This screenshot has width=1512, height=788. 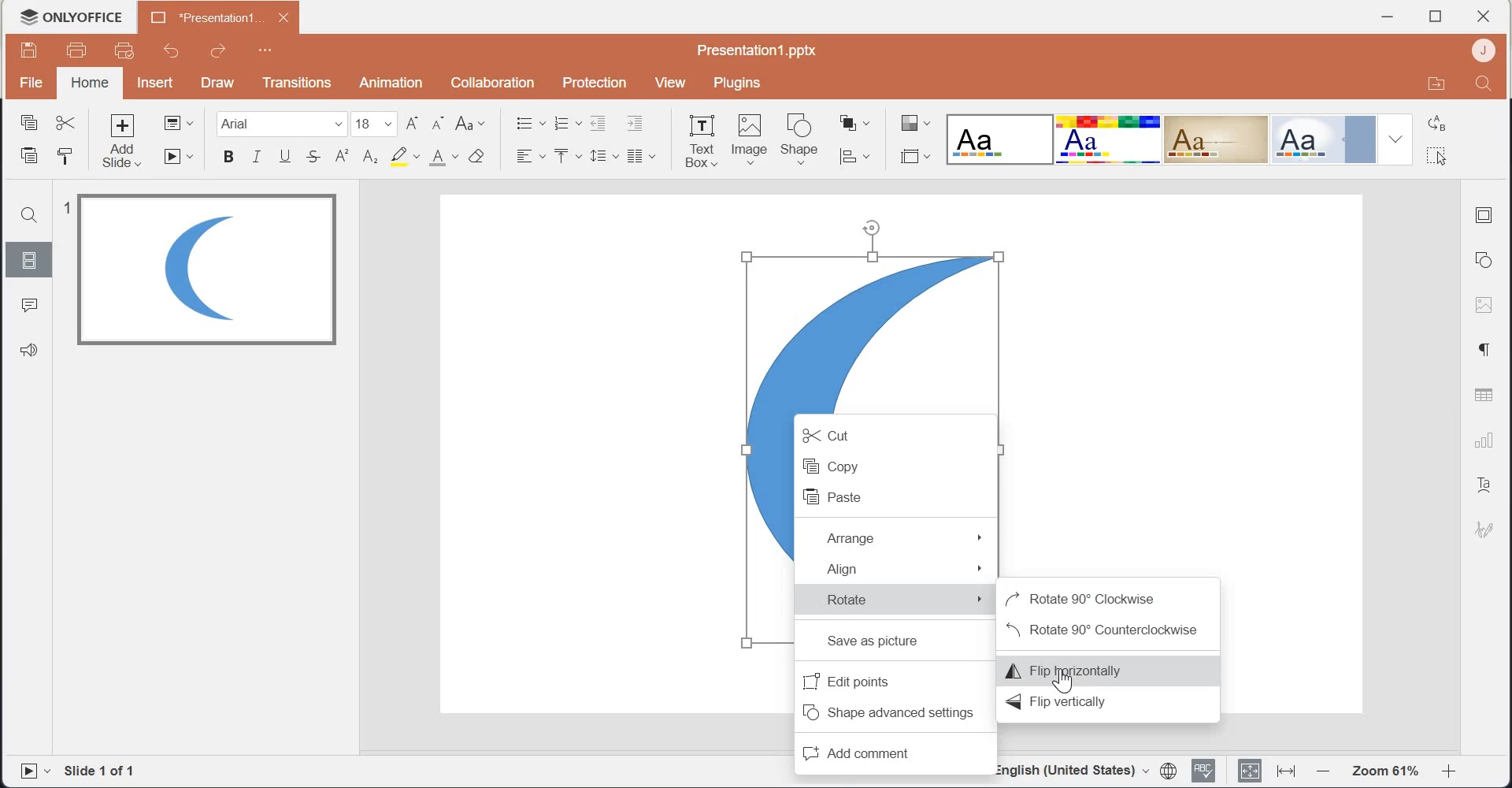 What do you see at coordinates (70, 158) in the screenshot?
I see `Copy style` at bounding box center [70, 158].